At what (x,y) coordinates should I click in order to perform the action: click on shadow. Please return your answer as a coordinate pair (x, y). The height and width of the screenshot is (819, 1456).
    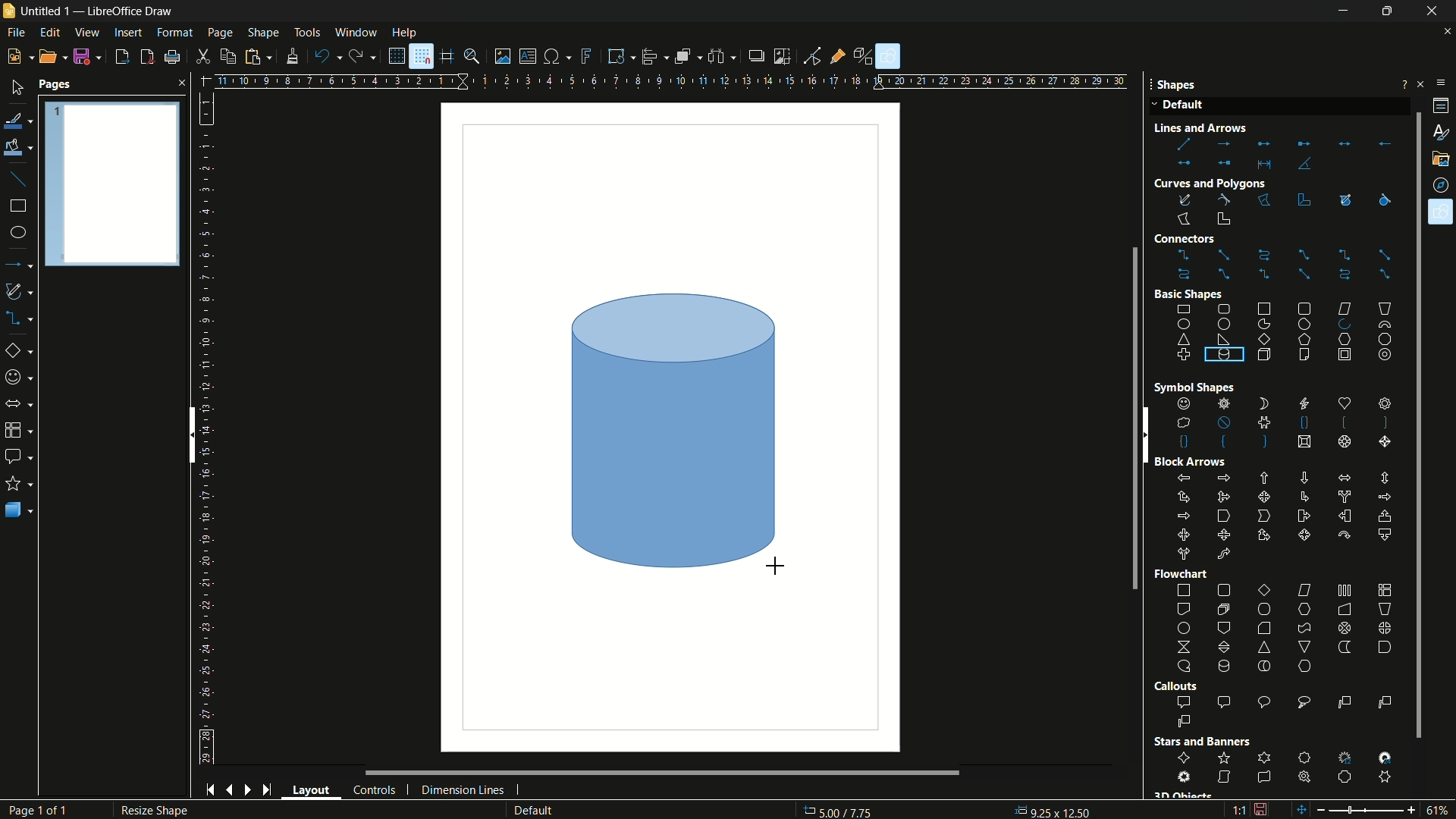
    Looking at the image, I should click on (755, 55).